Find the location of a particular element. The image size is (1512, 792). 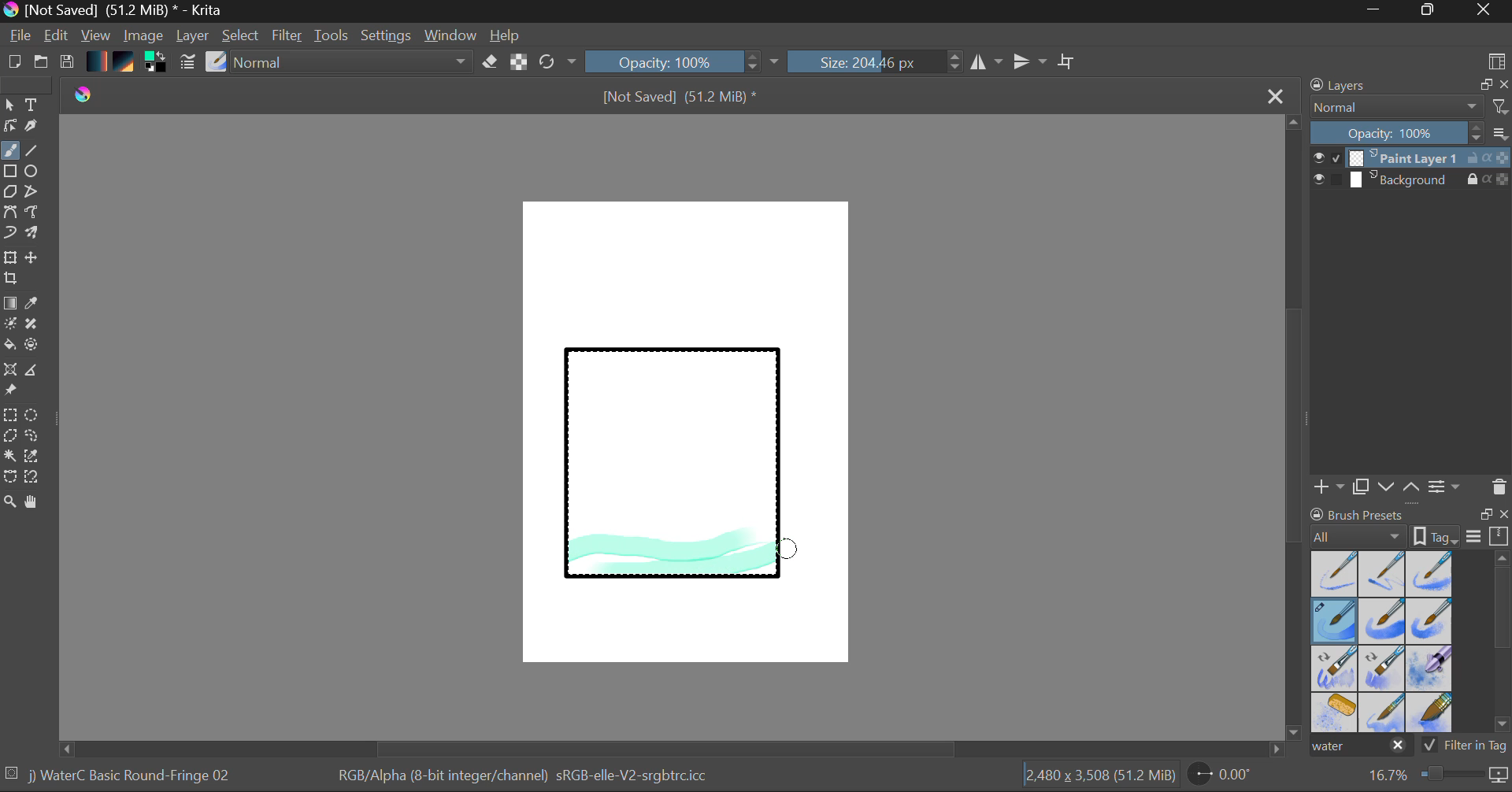

Rectangle Selection Tool is located at coordinates (9, 417).